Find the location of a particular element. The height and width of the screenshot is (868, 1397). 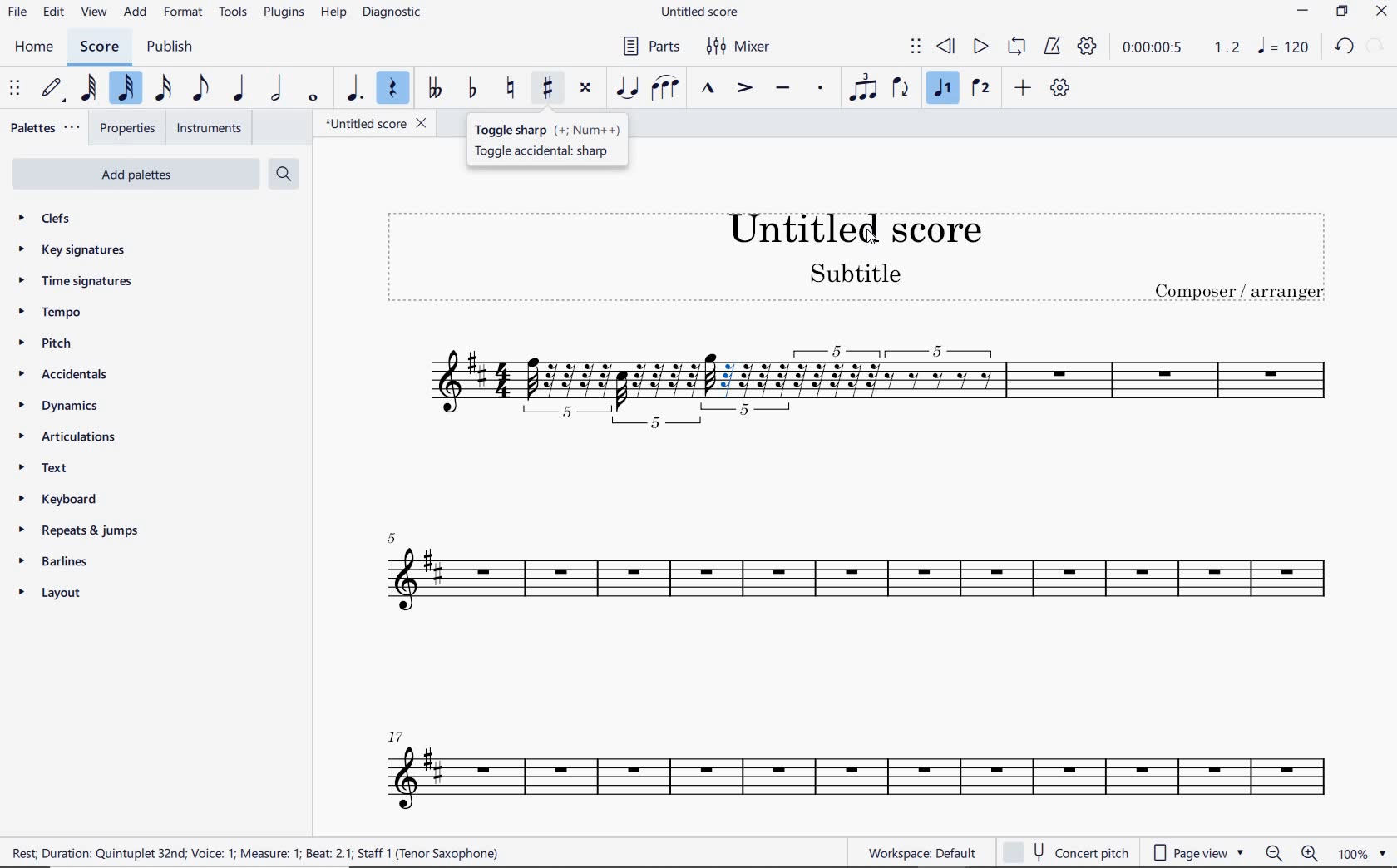

DEFAULT (STEP TIME) is located at coordinates (52, 89).